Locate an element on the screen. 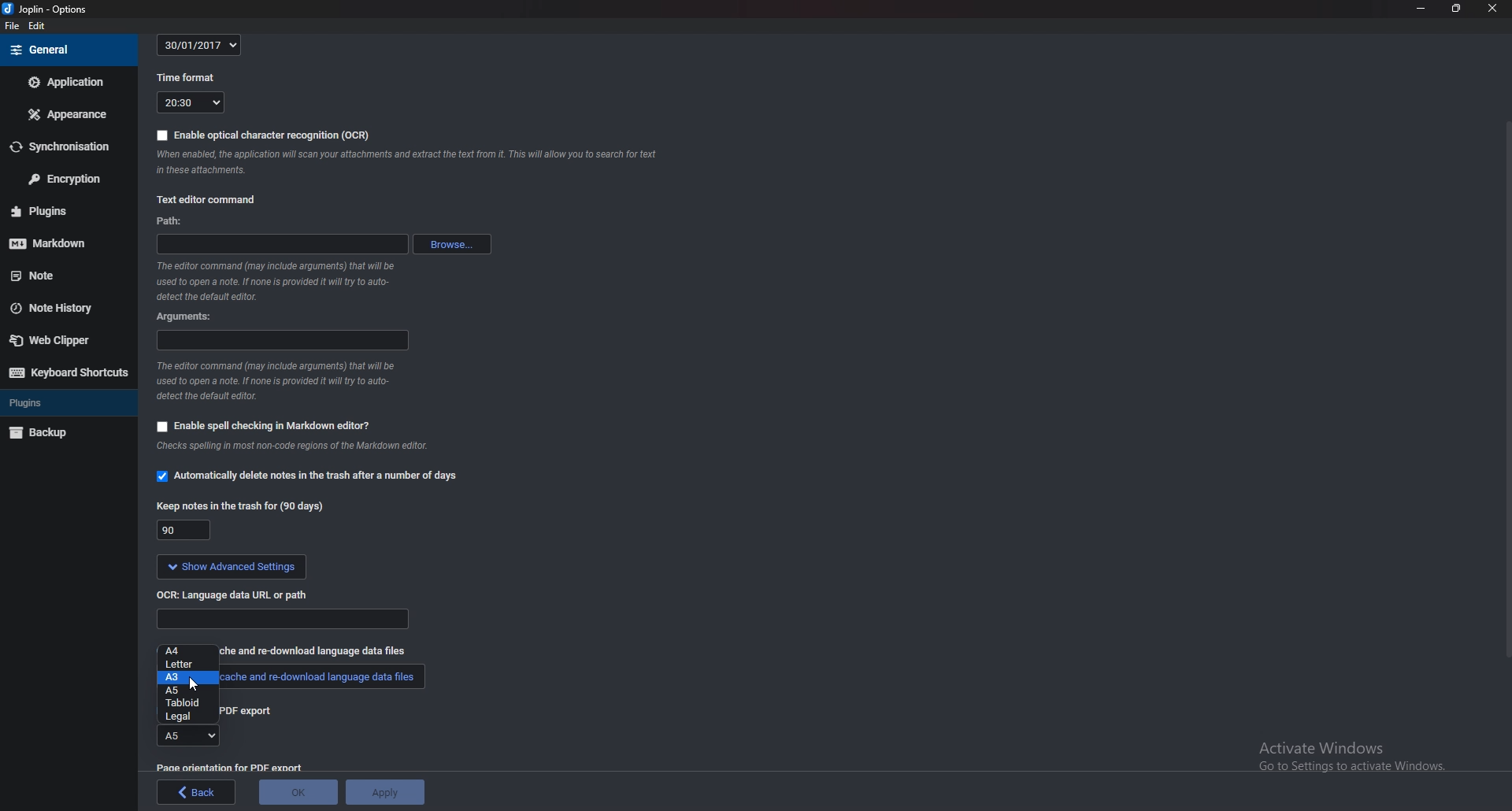 This screenshot has width=1512, height=811. Edit is located at coordinates (38, 26).